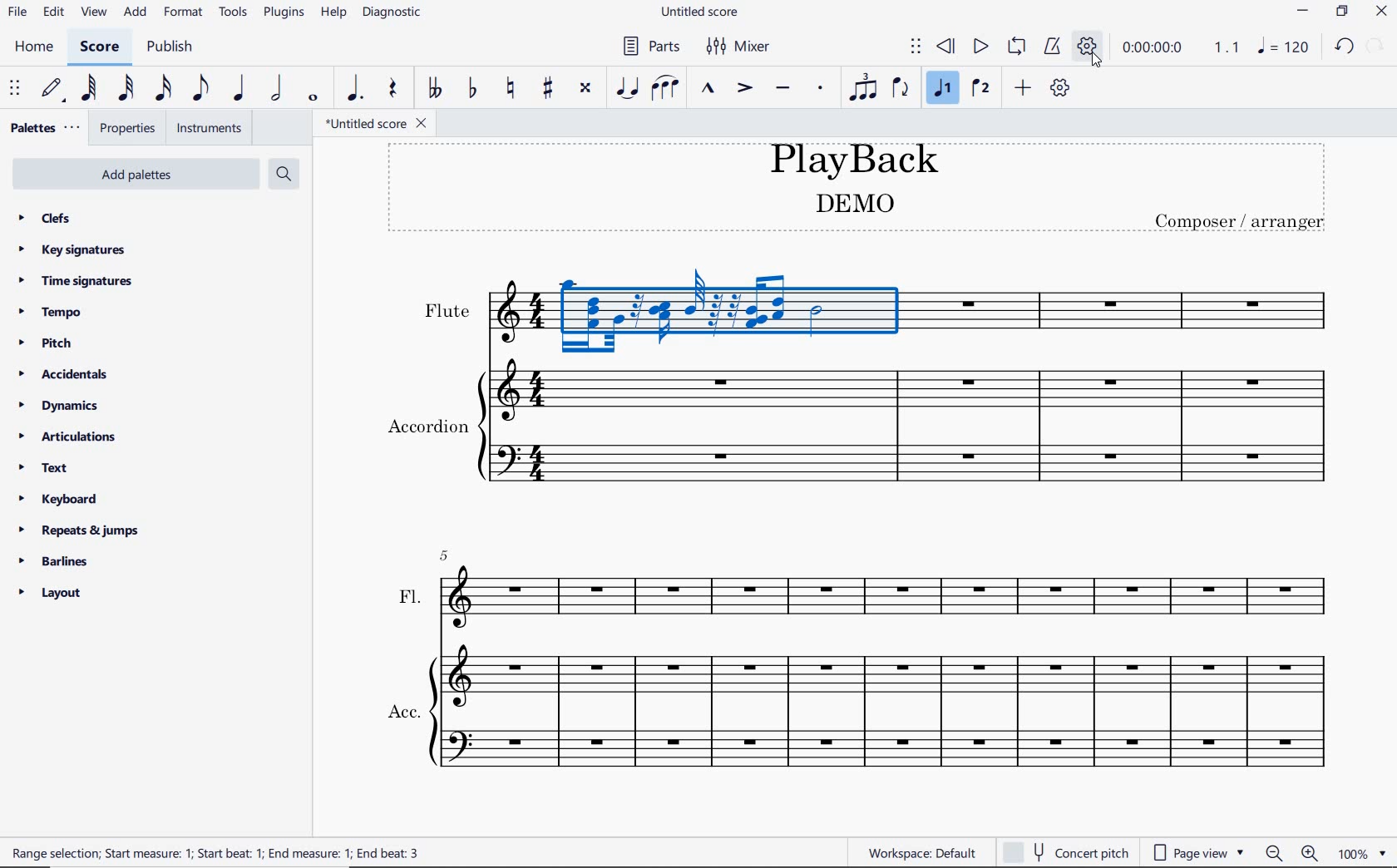 The width and height of the screenshot is (1397, 868). I want to click on play, so click(980, 47).